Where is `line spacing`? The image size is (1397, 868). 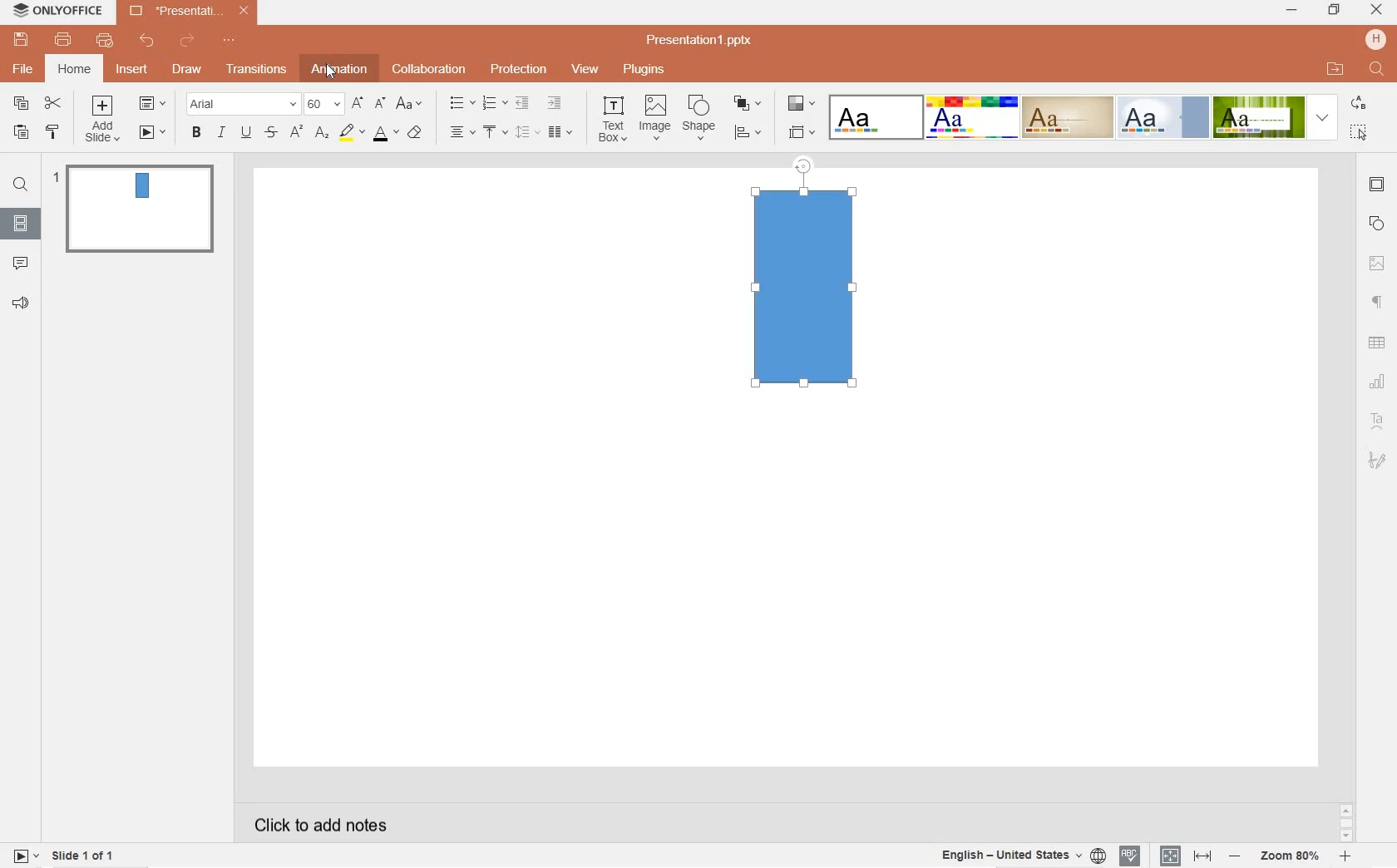
line spacing is located at coordinates (526, 131).